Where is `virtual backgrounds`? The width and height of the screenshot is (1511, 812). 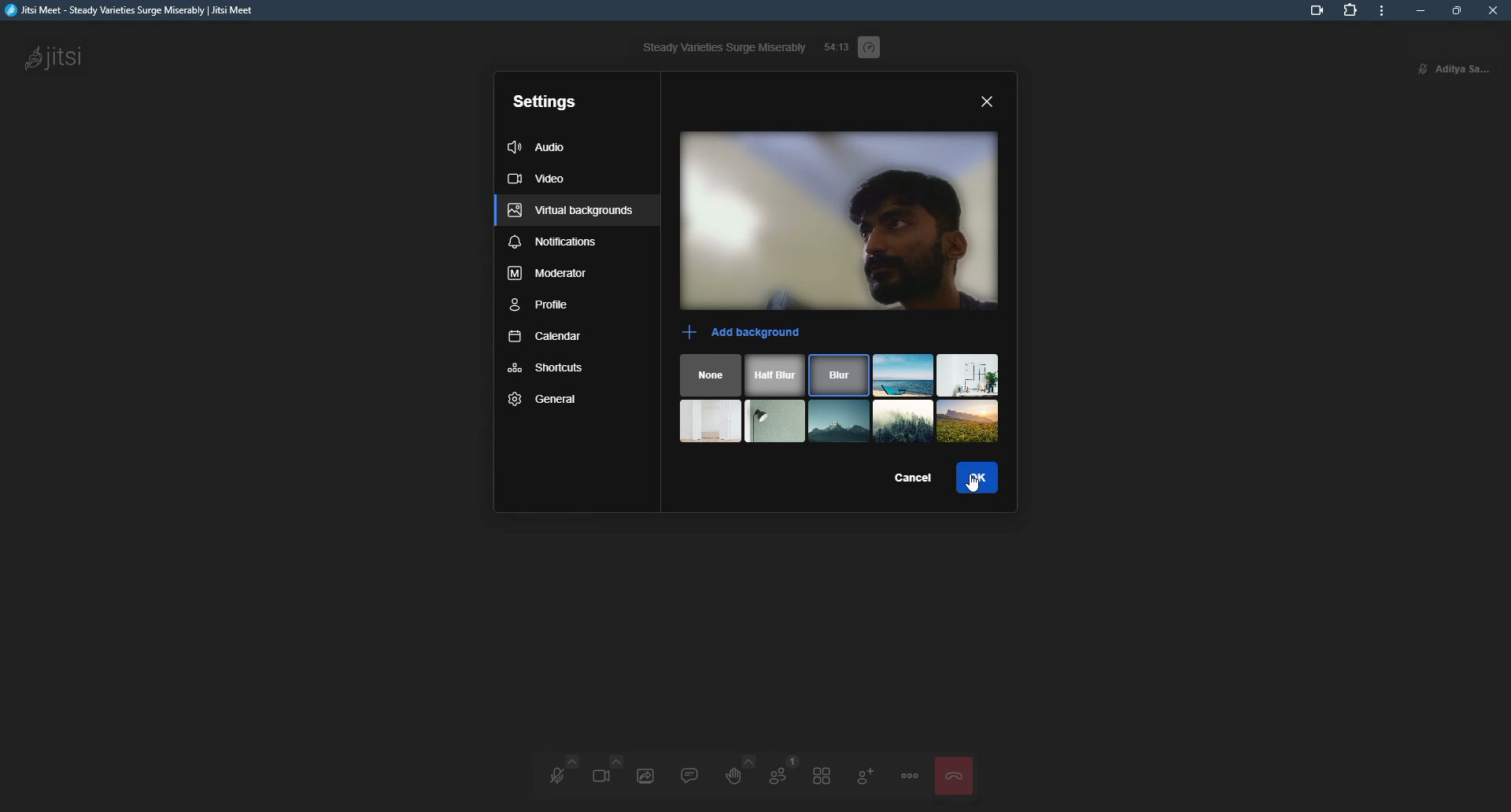
virtual backgrounds is located at coordinates (570, 214).